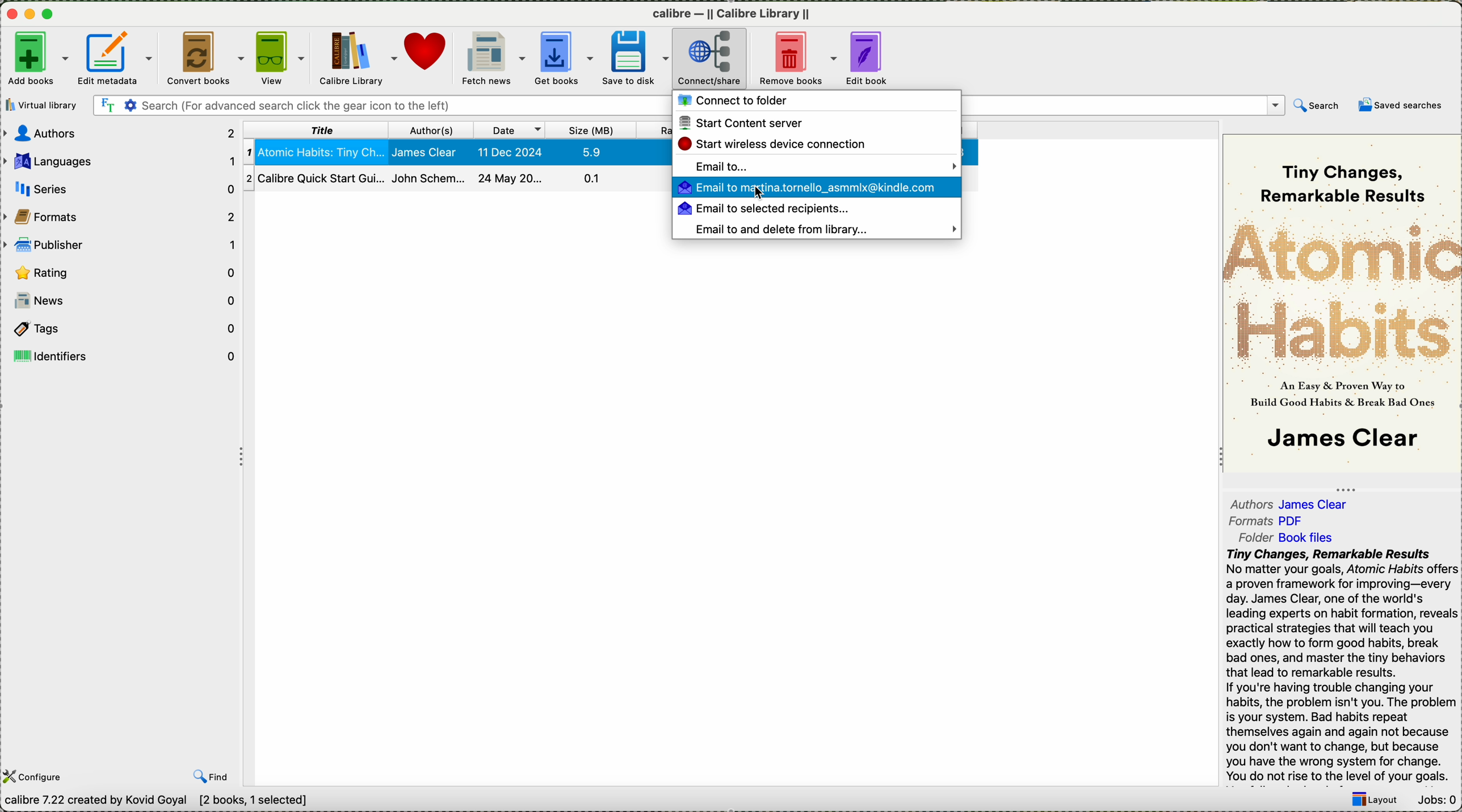 The width and height of the screenshot is (1462, 812). I want to click on publisher, so click(121, 243).